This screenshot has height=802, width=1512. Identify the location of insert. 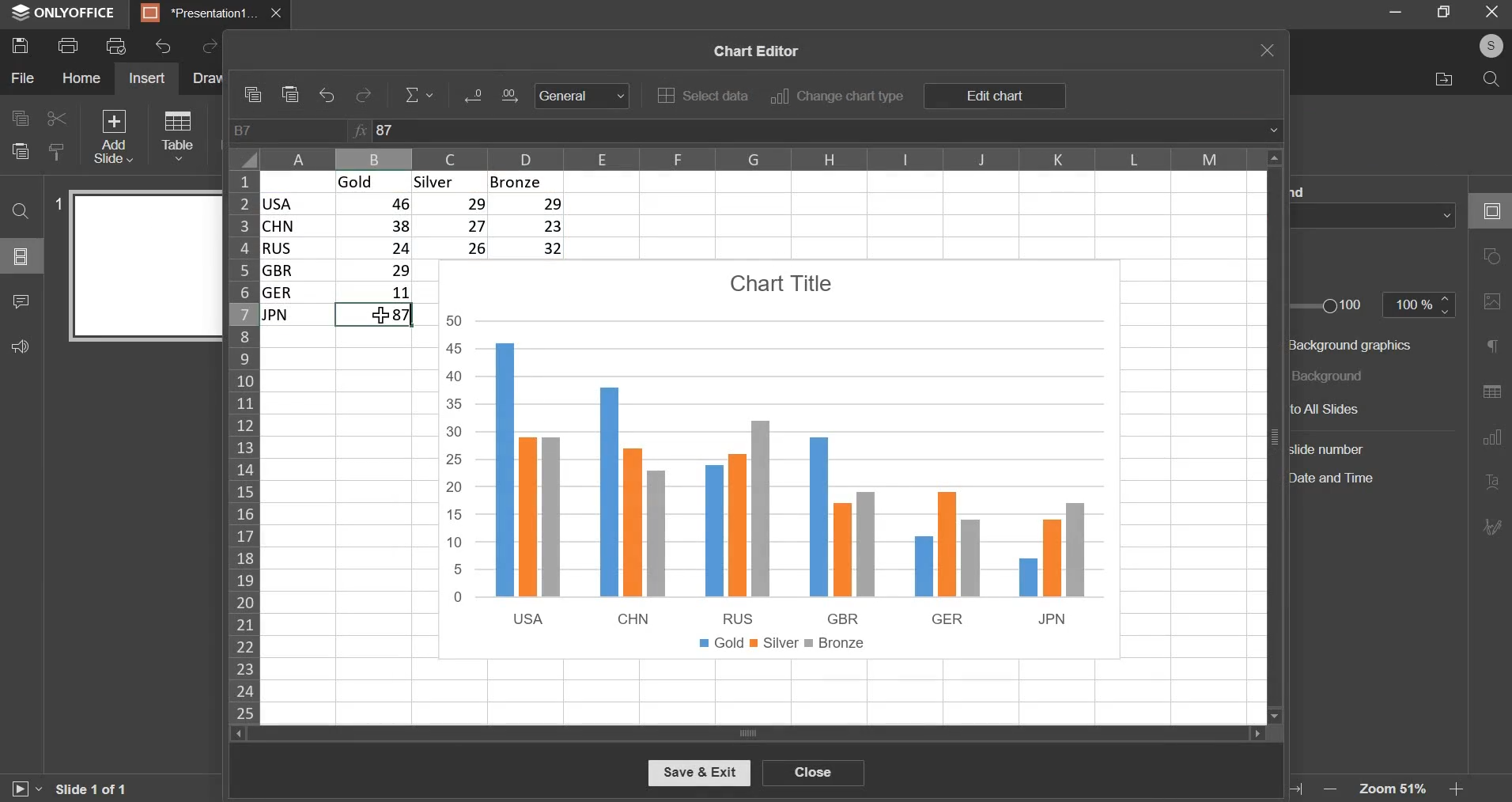
(146, 78).